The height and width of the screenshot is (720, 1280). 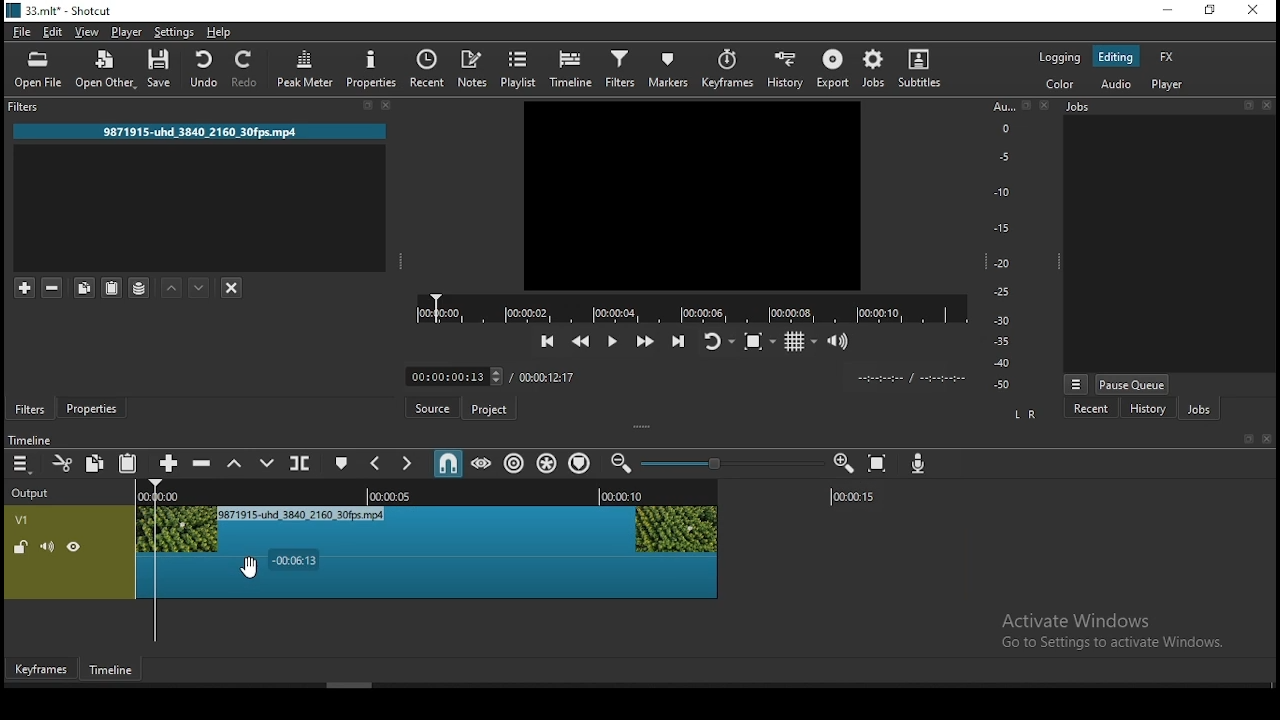 I want to click on (un)mute, so click(x=47, y=548).